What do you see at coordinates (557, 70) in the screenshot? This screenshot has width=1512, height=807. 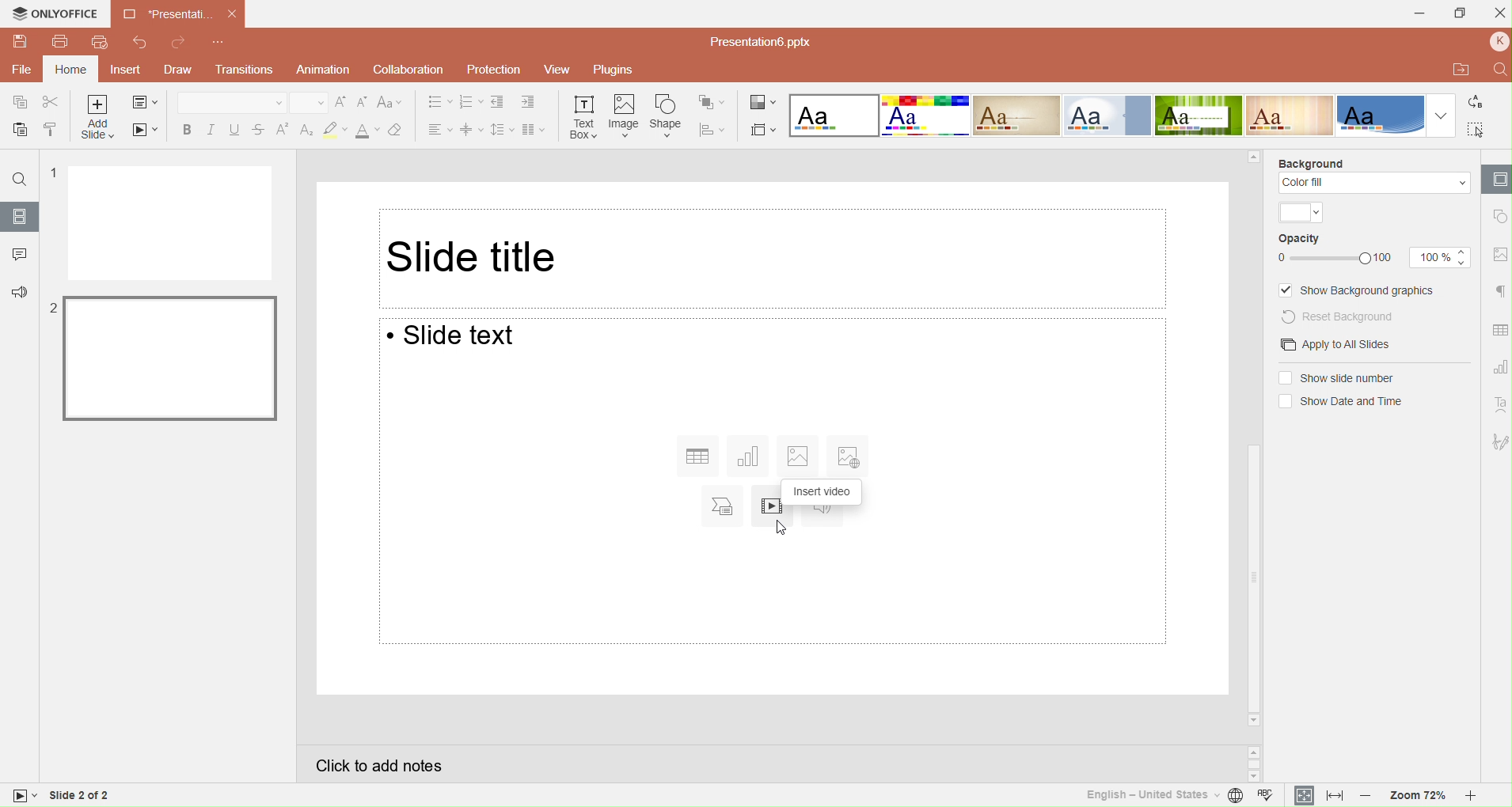 I see `View` at bounding box center [557, 70].